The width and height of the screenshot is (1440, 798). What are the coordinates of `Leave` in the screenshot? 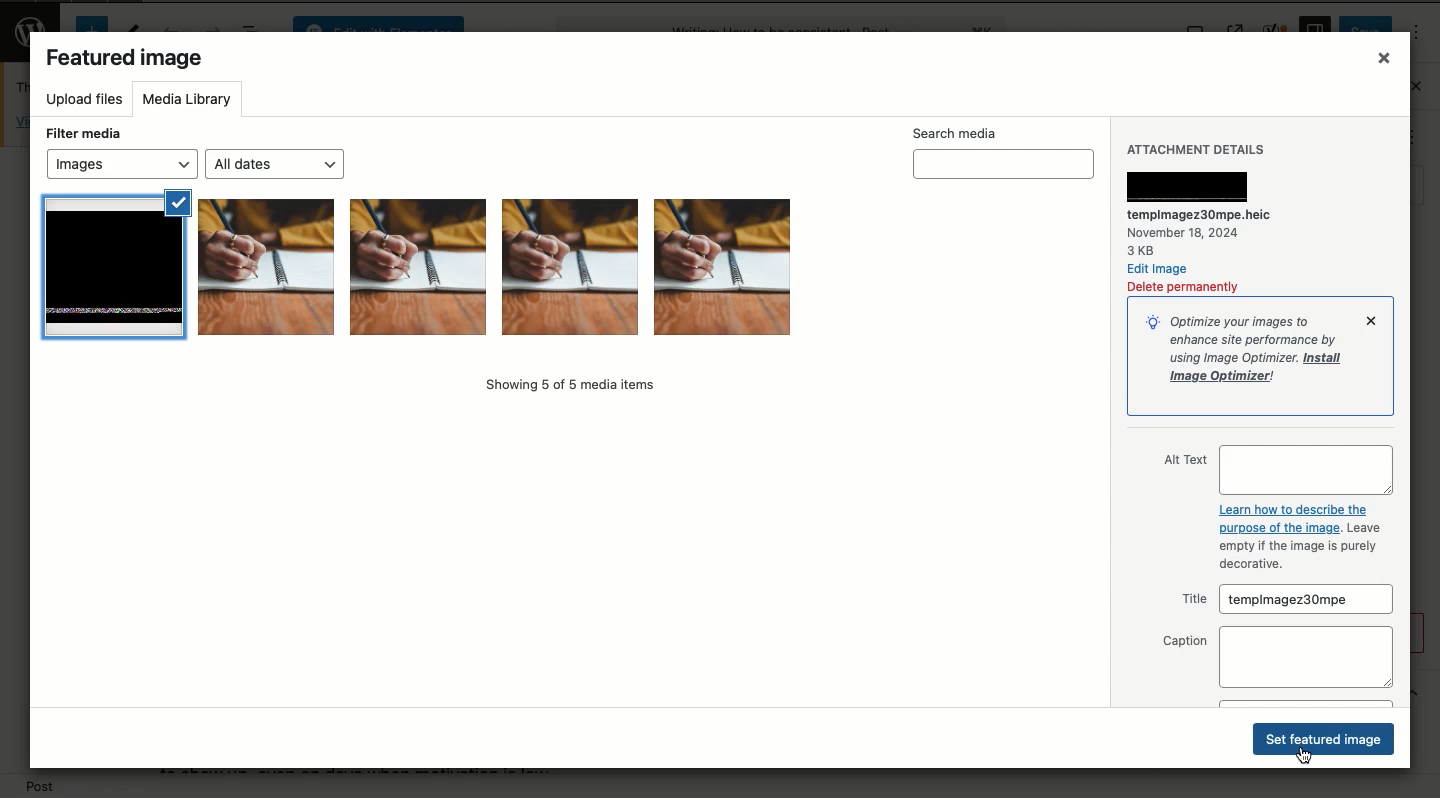 It's located at (1364, 528).